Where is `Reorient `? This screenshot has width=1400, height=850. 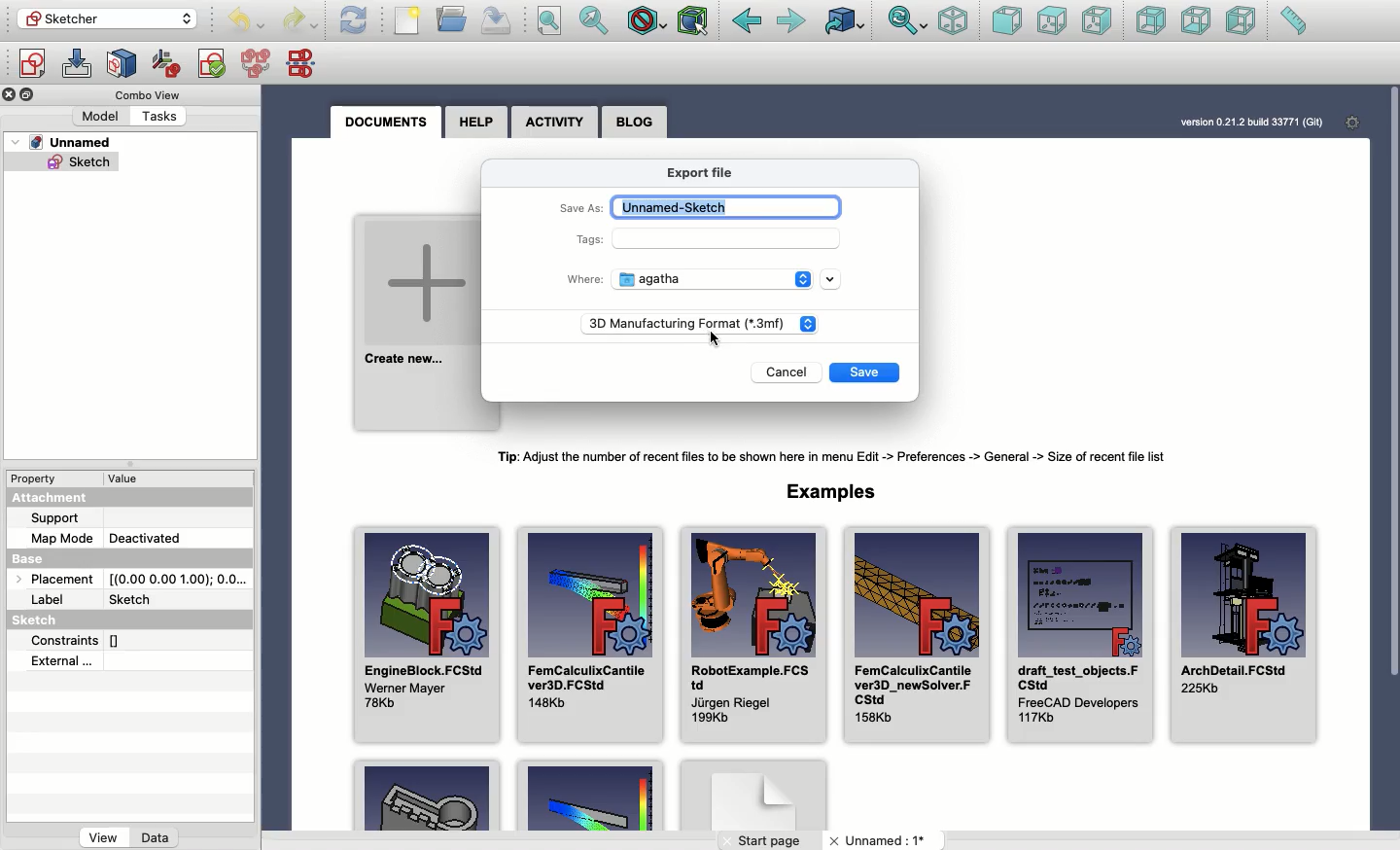
Reorient  is located at coordinates (166, 62).